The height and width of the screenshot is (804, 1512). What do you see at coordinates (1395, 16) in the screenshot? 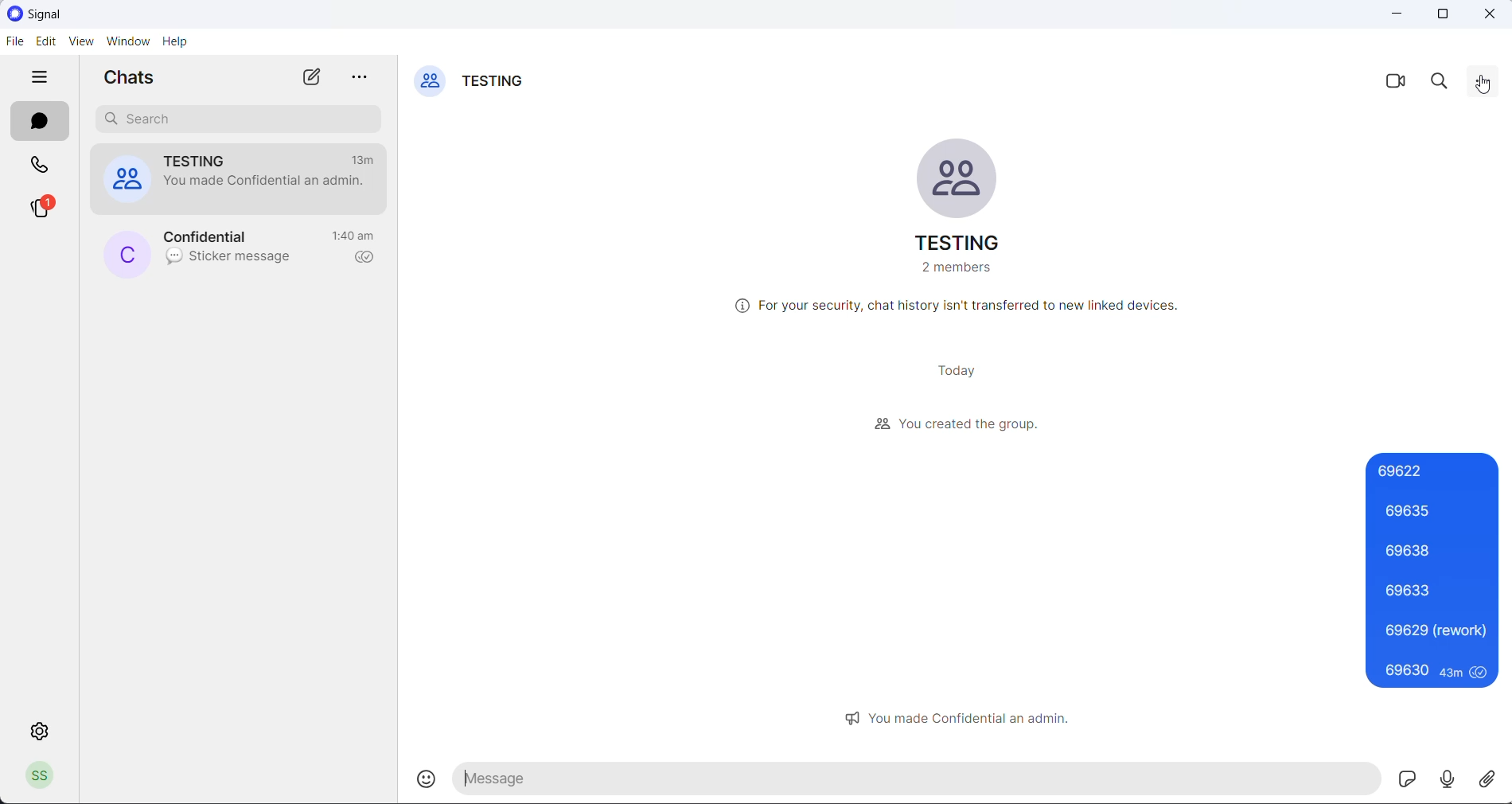
I see `minimize` at bounding box center [1395, 16].